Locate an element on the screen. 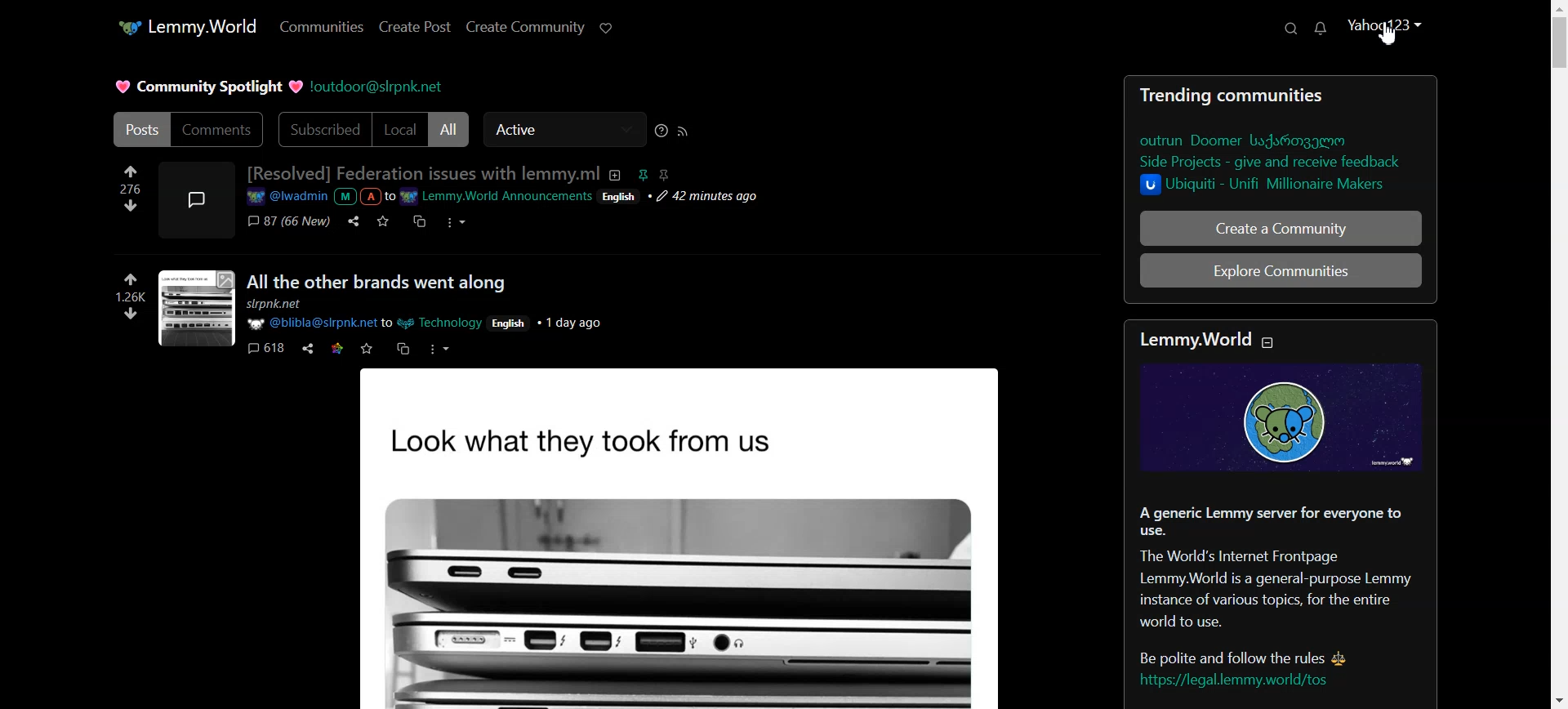 Image resolution: width=1568 pixels, height=709 pixels. downvote is located at coordinates (131, 206).